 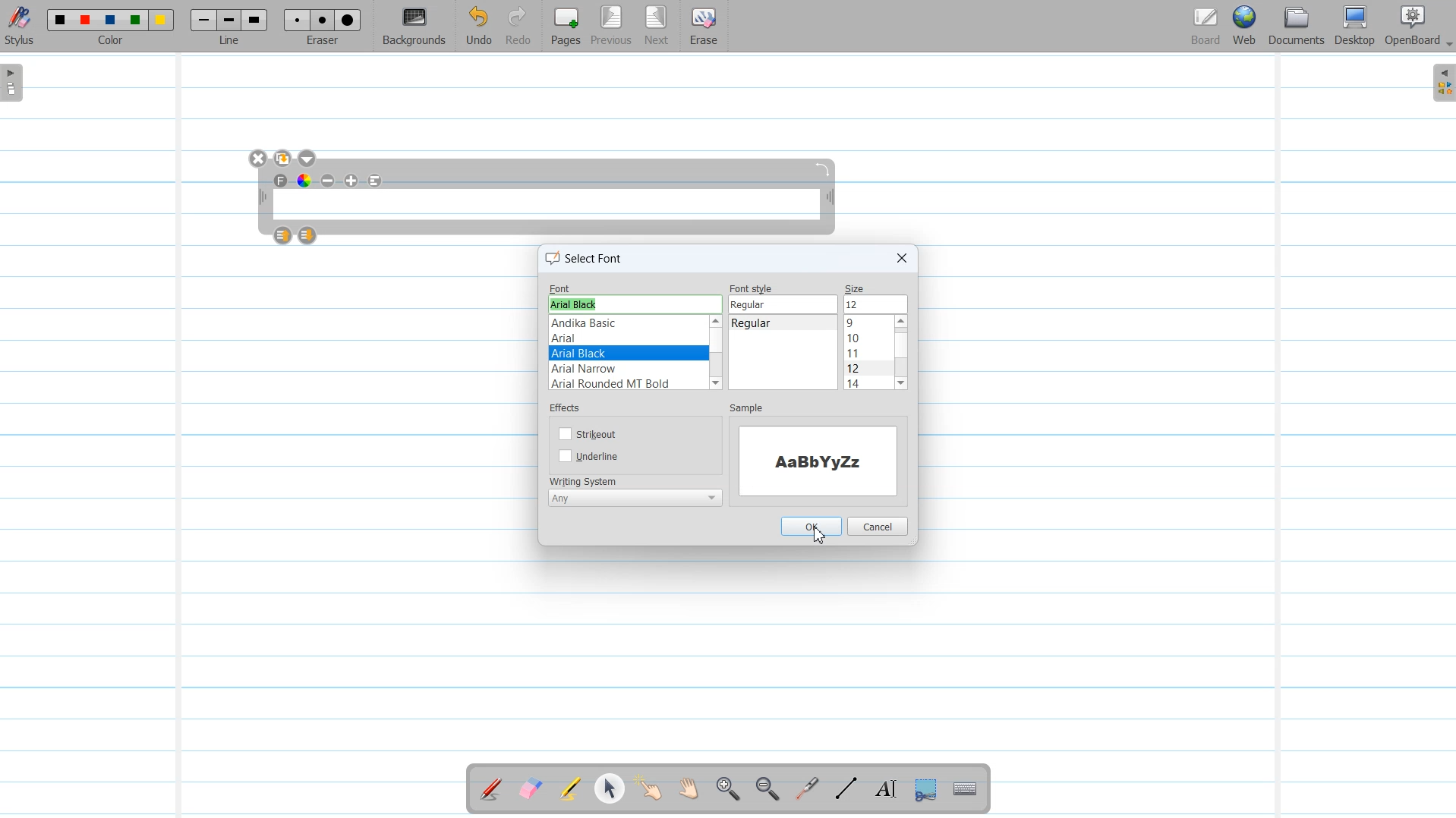 What do you see at coordinates (627, 353) in the screenshot?
I see `font selected` at bounding box center [627, 353].